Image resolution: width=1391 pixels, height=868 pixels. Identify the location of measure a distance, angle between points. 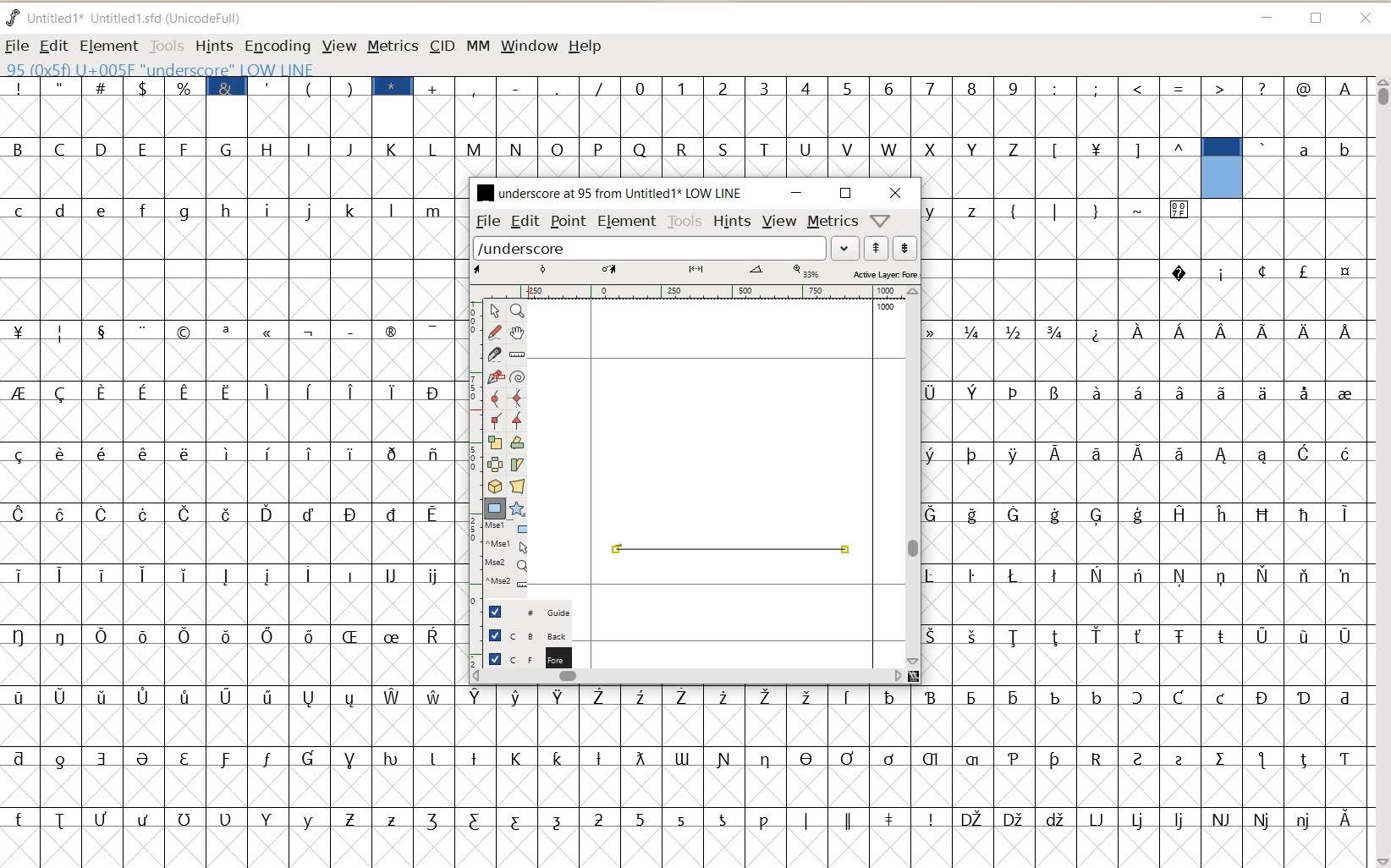
(518, 354).